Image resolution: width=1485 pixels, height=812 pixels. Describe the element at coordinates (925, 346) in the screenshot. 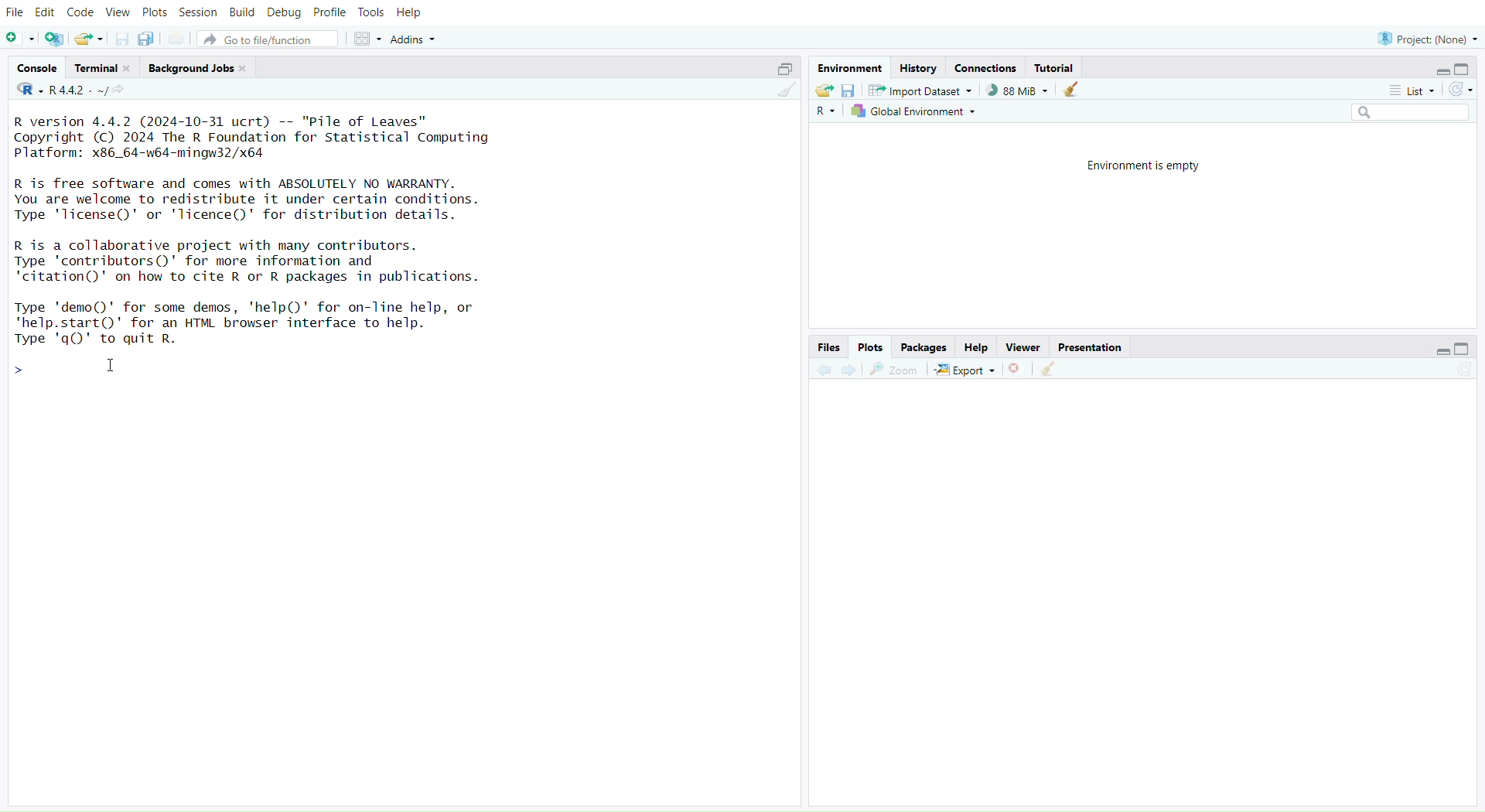

I see `packages` at that location.